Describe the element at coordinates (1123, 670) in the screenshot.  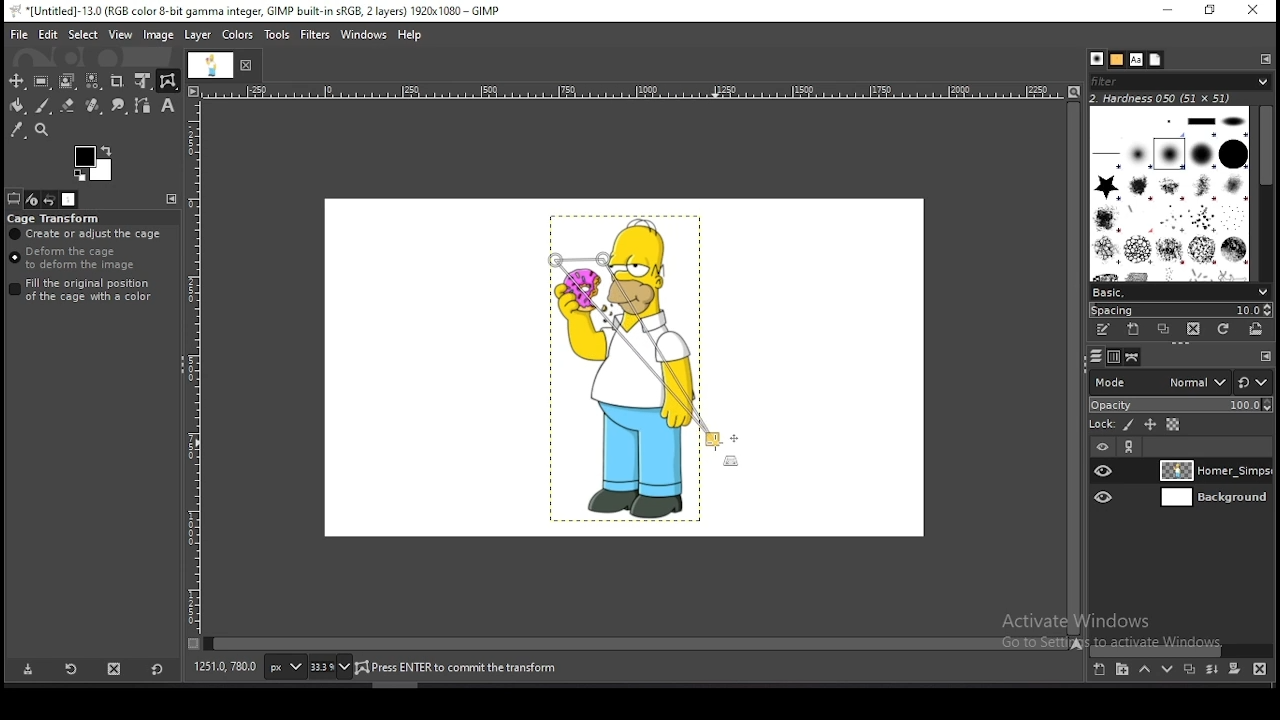
I see `create a new layer group` at that location.